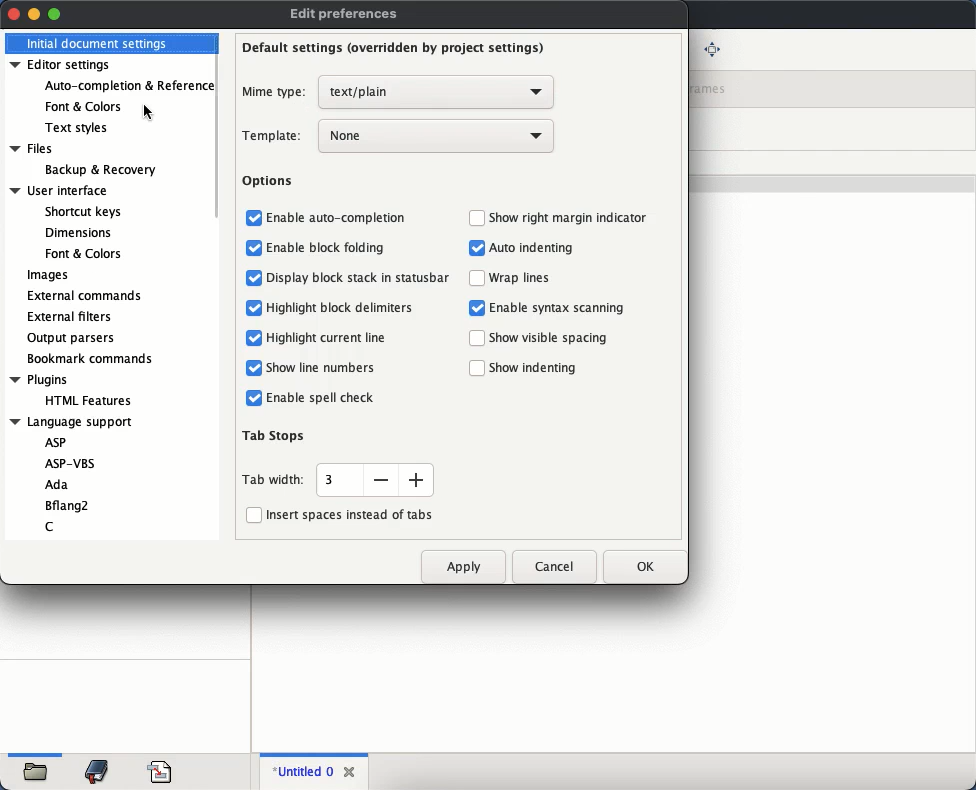 Image resolution: width=976 pixels, height=790 pixels. I want to click on editor settings, so click(64, 64).